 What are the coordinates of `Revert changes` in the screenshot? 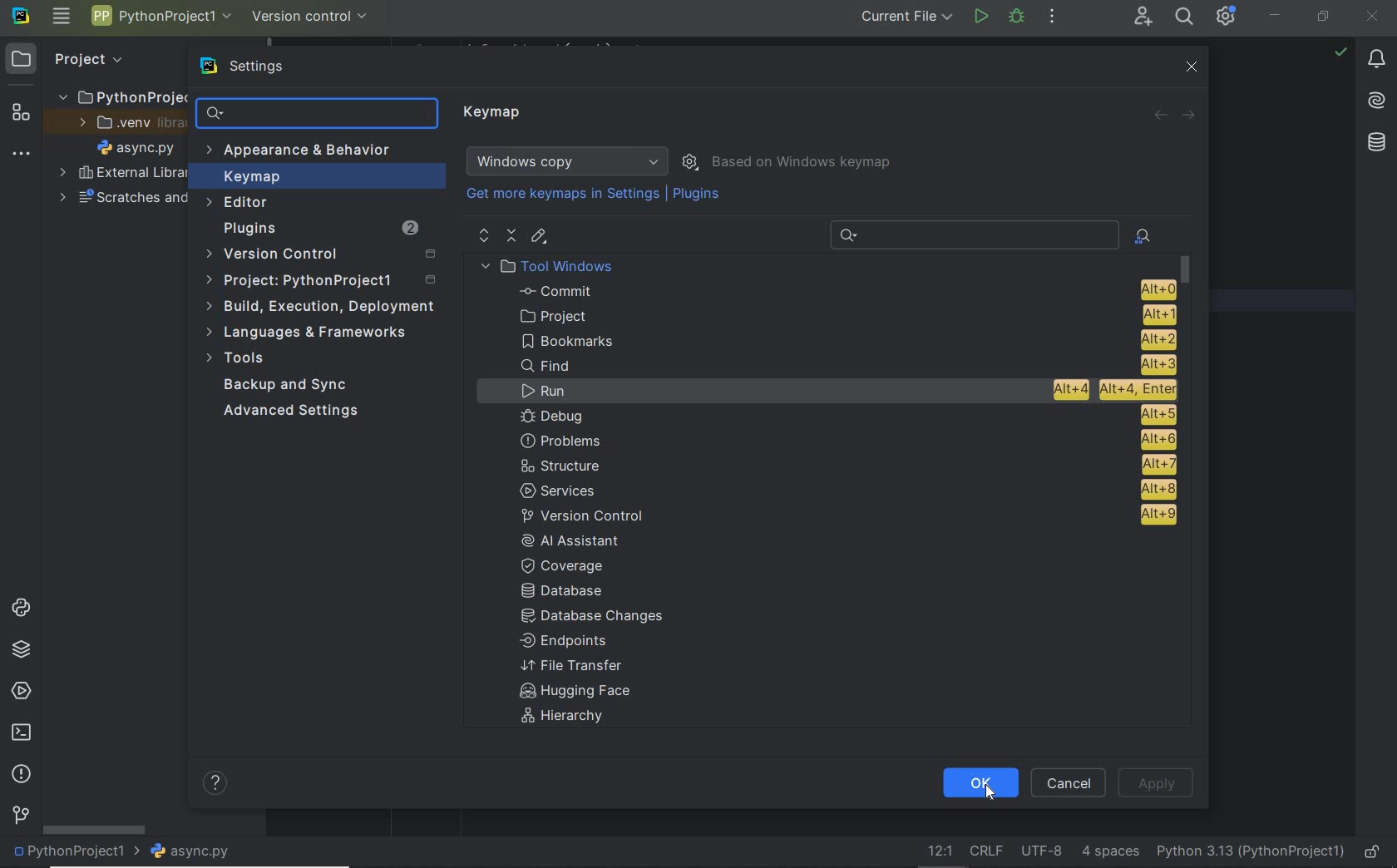 It's located at (1076, 114).